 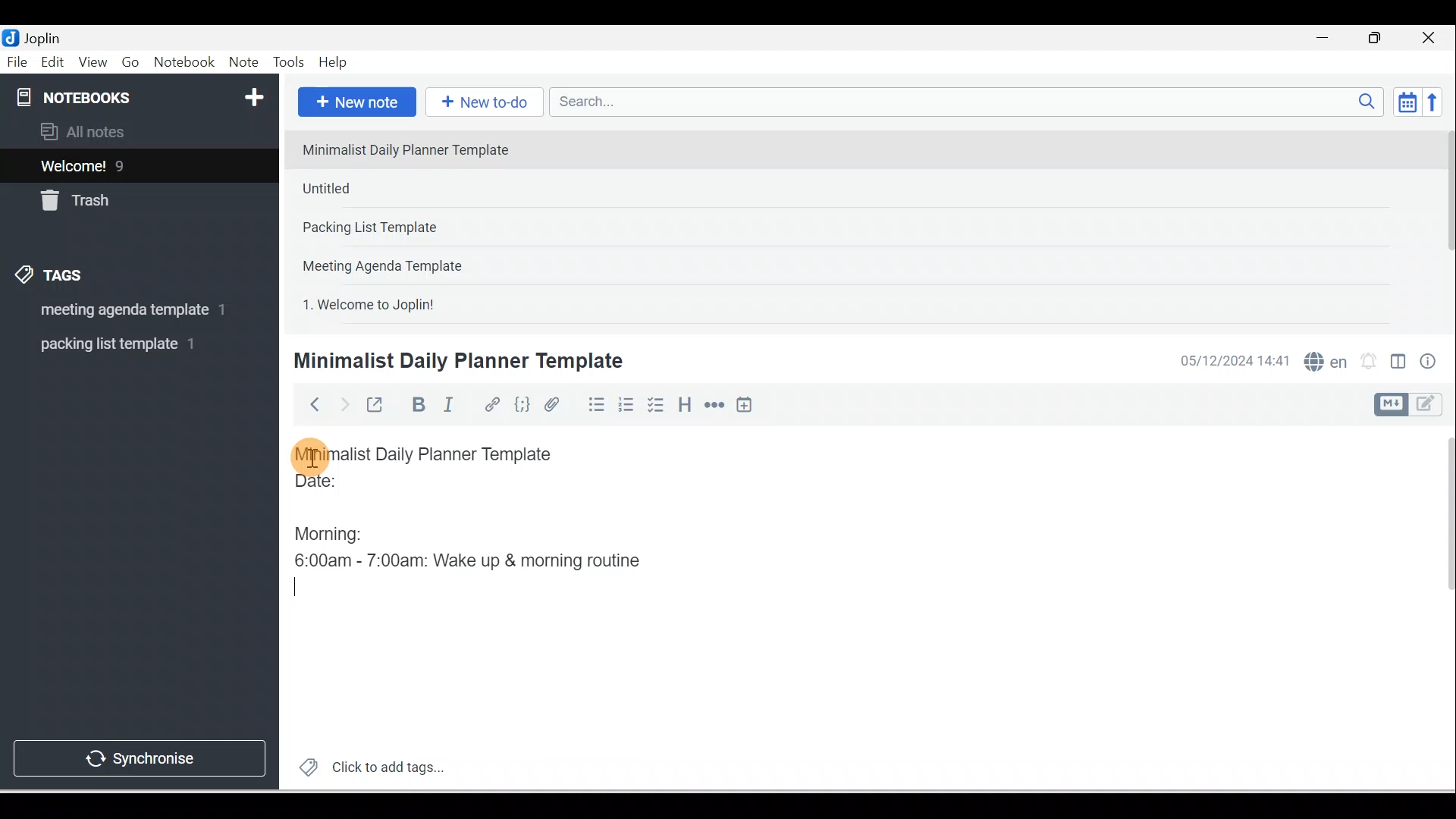 What do you see at coordinates (1232, 361) in the screenshot?
I see `Date & time` at bounding box center [1232, 361].